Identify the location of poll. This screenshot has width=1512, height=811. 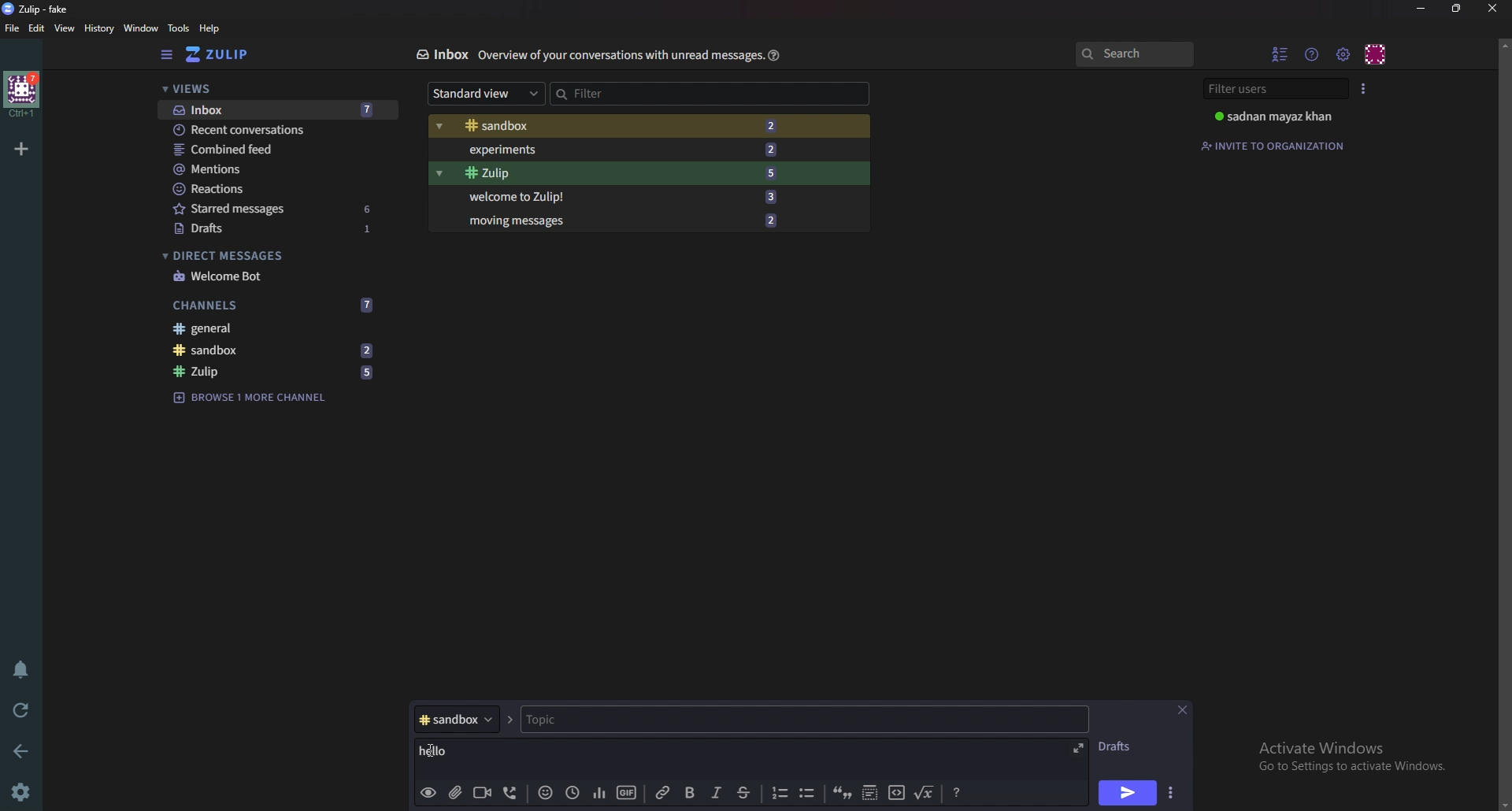
(600, 794).